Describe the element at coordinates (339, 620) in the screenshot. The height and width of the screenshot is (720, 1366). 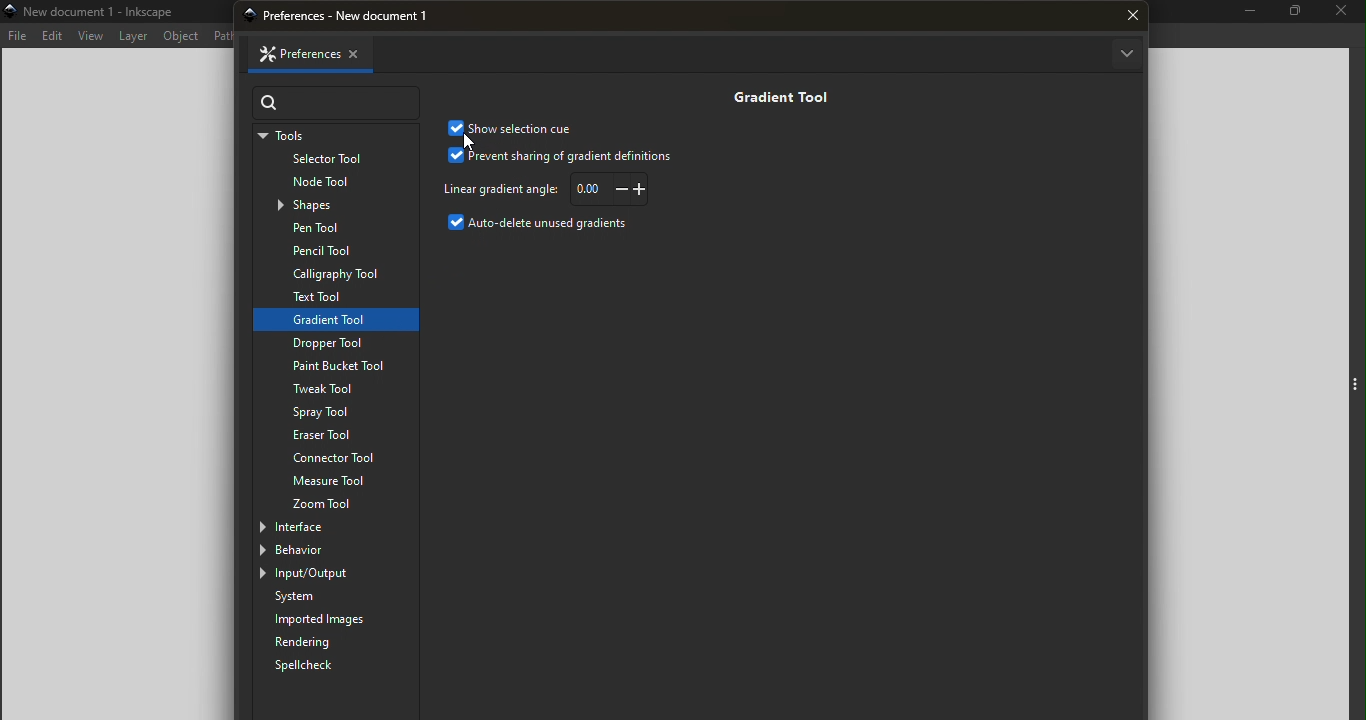
I see `Imported images` at that location.